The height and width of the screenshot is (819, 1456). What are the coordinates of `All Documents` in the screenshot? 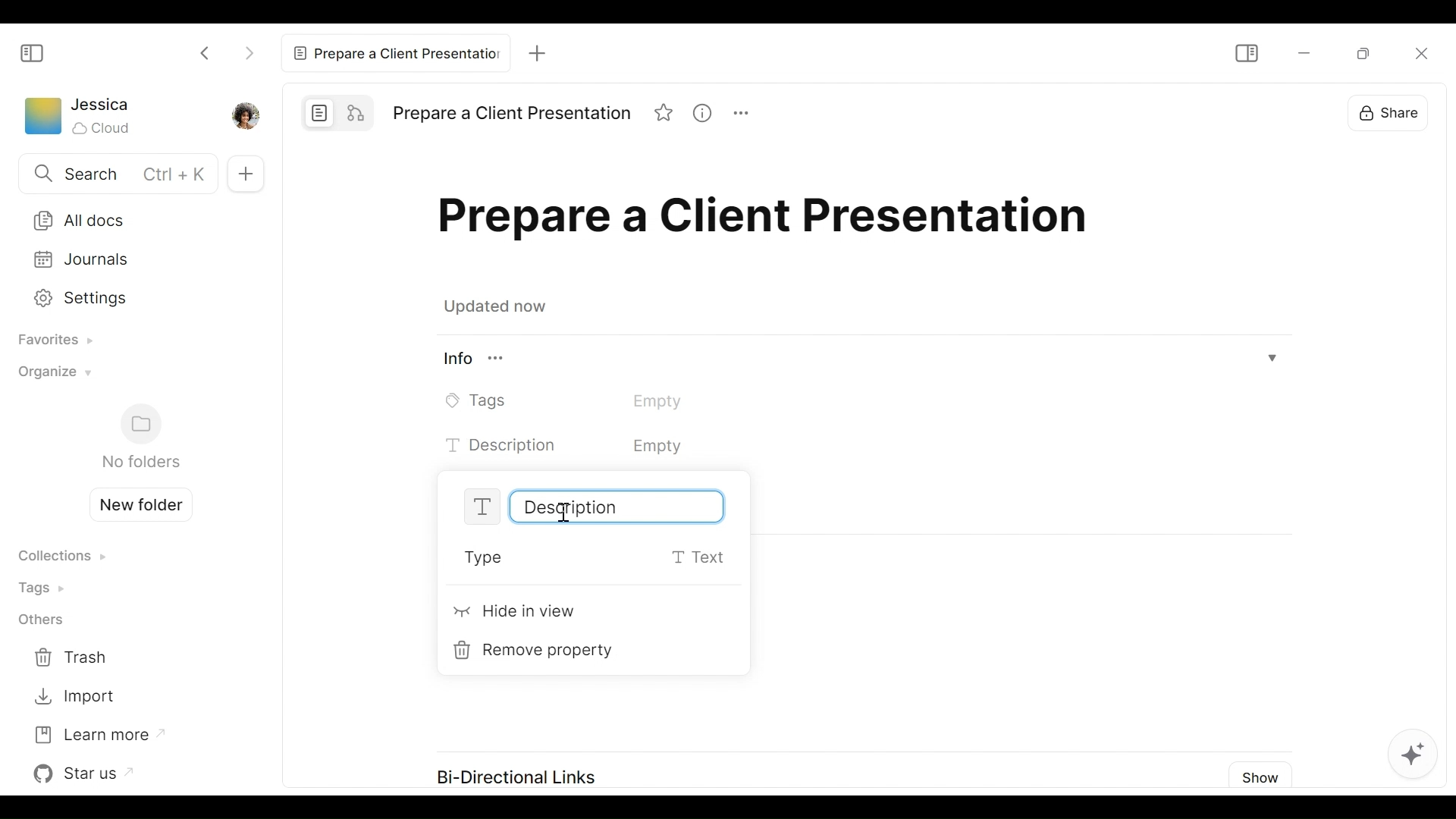 It's located at (130, 219).